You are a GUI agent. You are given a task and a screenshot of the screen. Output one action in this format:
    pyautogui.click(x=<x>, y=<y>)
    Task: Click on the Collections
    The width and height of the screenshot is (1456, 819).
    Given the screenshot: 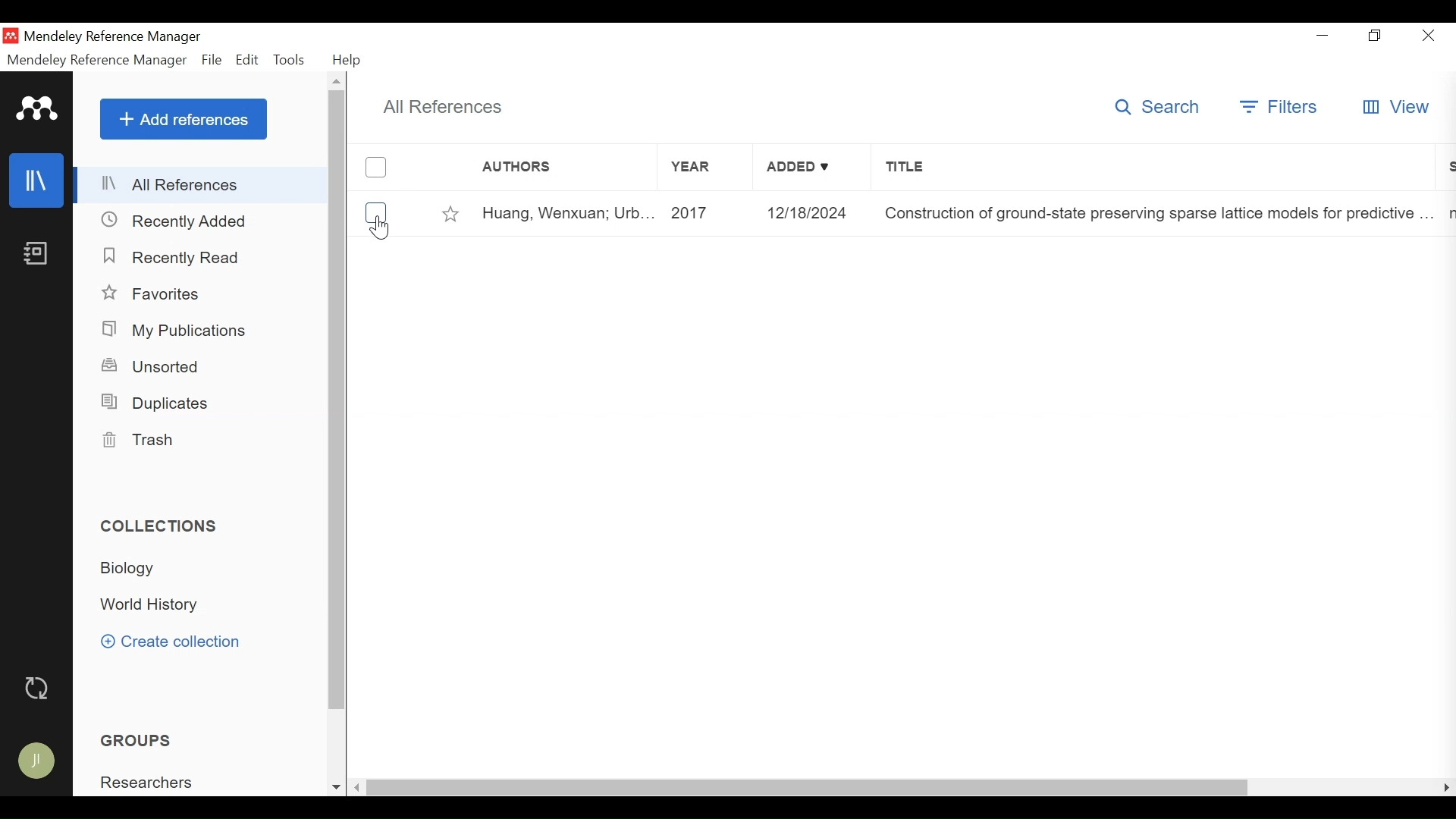 What is the action you would take?
    pyautogui.click(x=160, y=526)
    